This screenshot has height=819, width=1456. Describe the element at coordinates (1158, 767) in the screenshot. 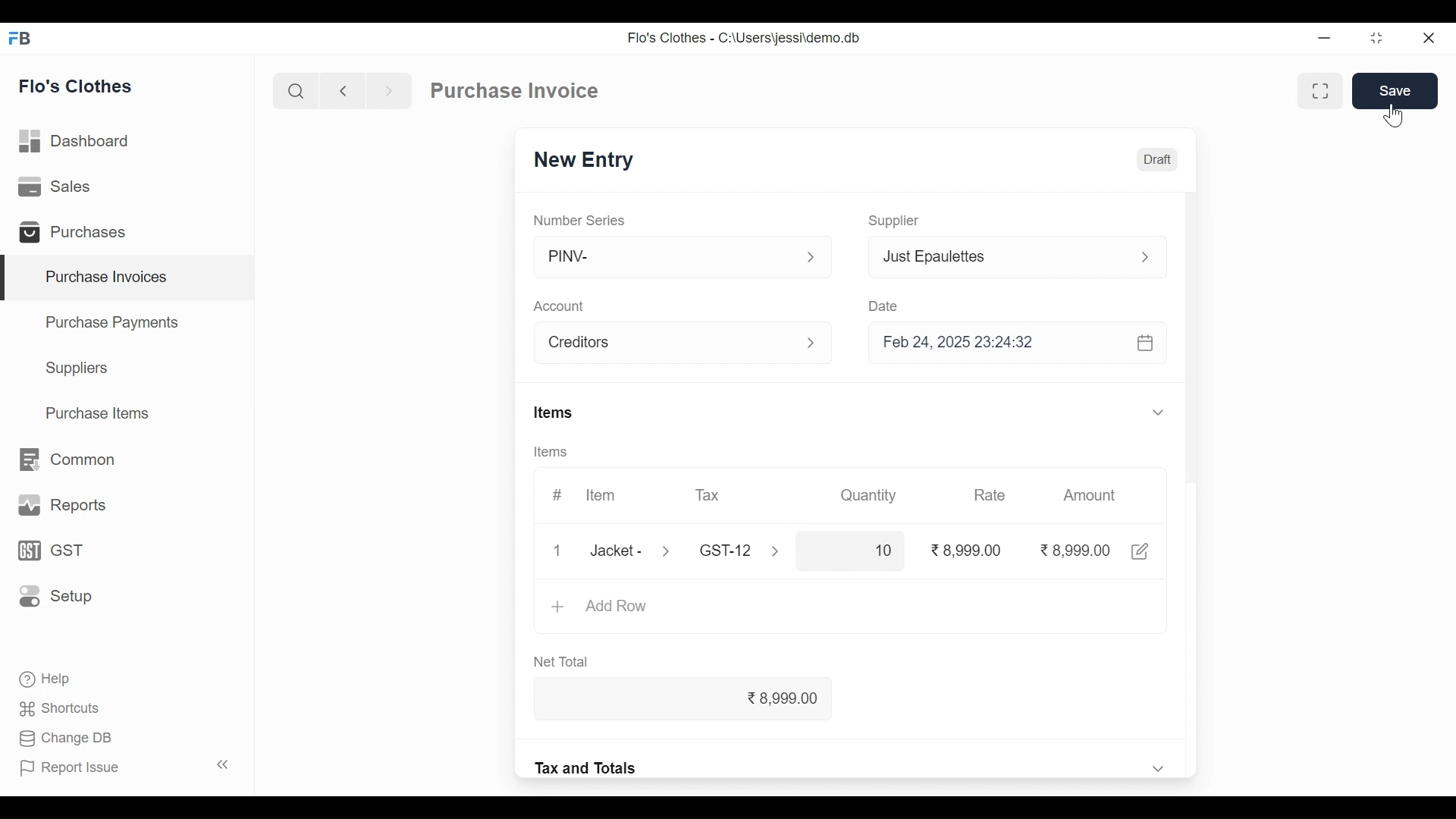

I see `Expand` at that location.